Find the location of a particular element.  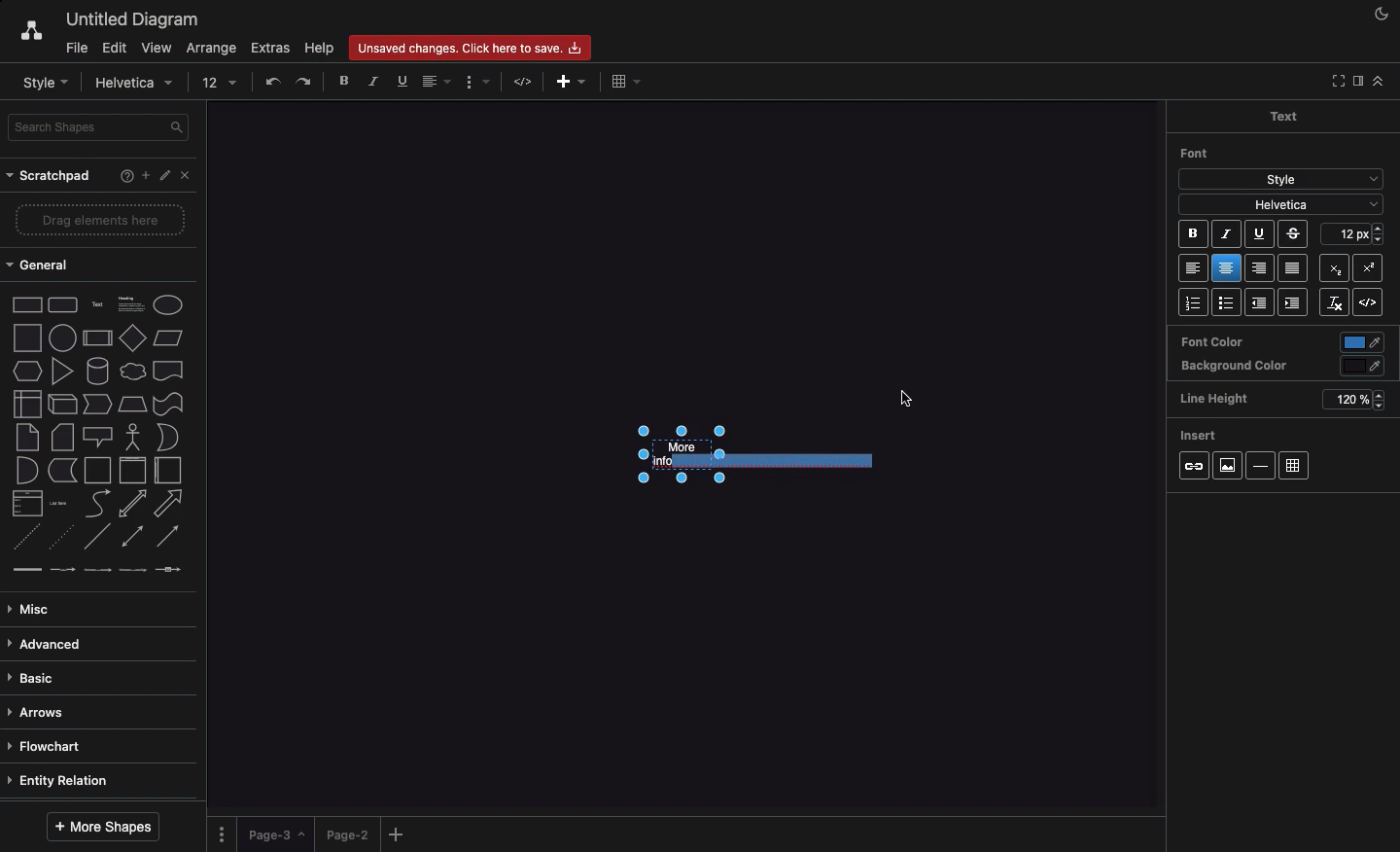

More shapes is located at coordinates (106, 826).